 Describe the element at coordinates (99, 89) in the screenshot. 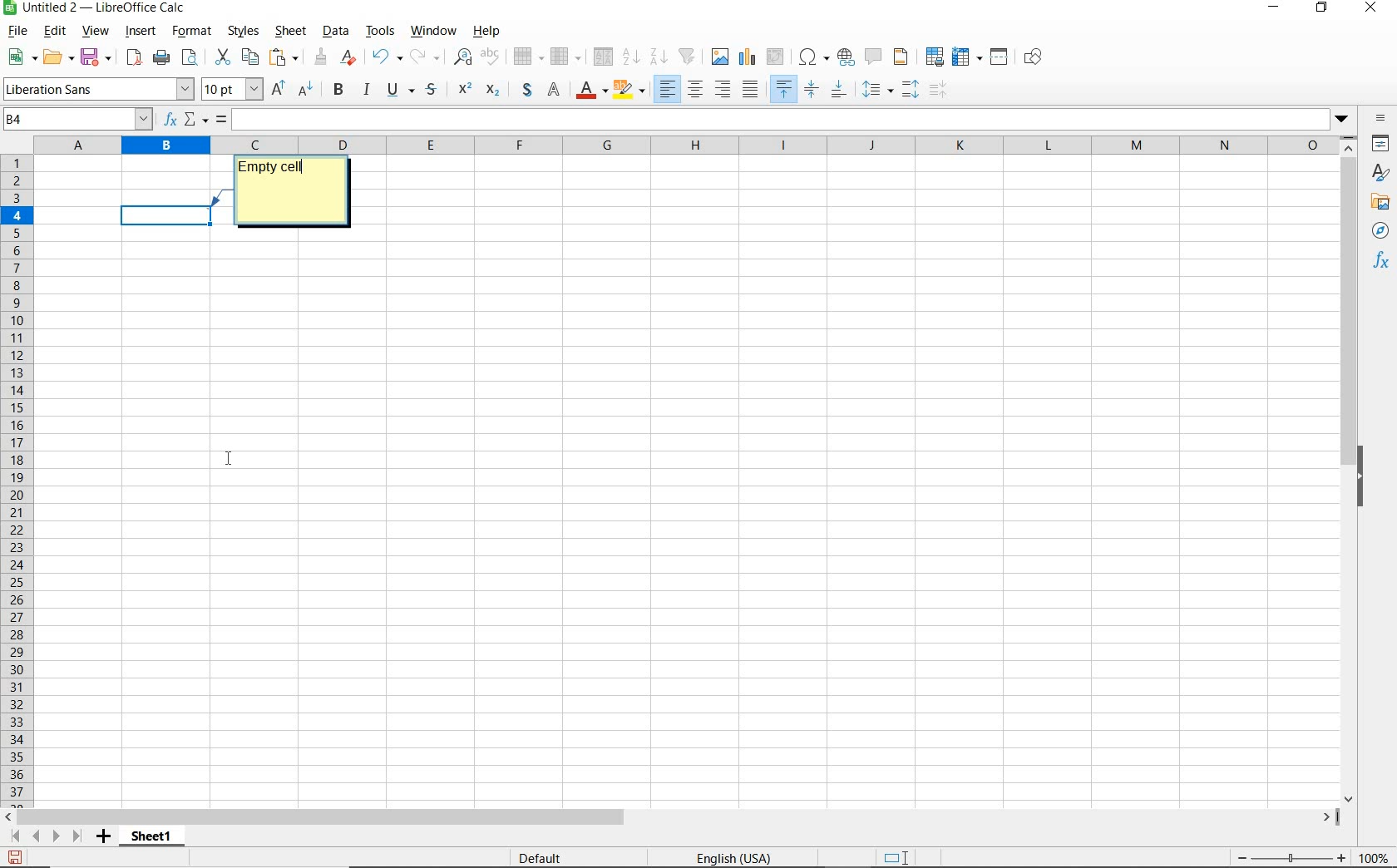

I see `font name` at that location.